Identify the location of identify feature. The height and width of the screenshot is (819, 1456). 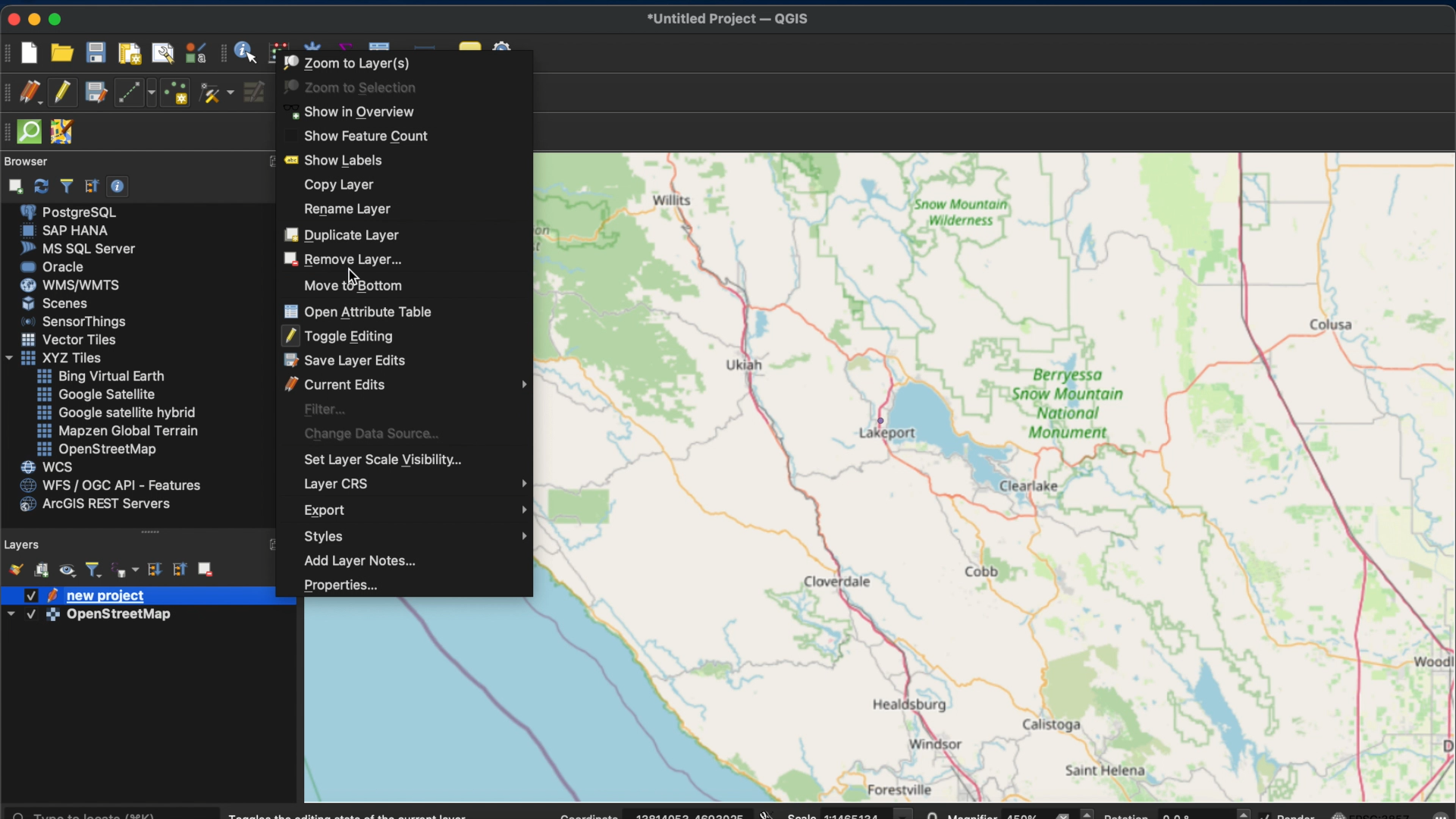
(247, 52).